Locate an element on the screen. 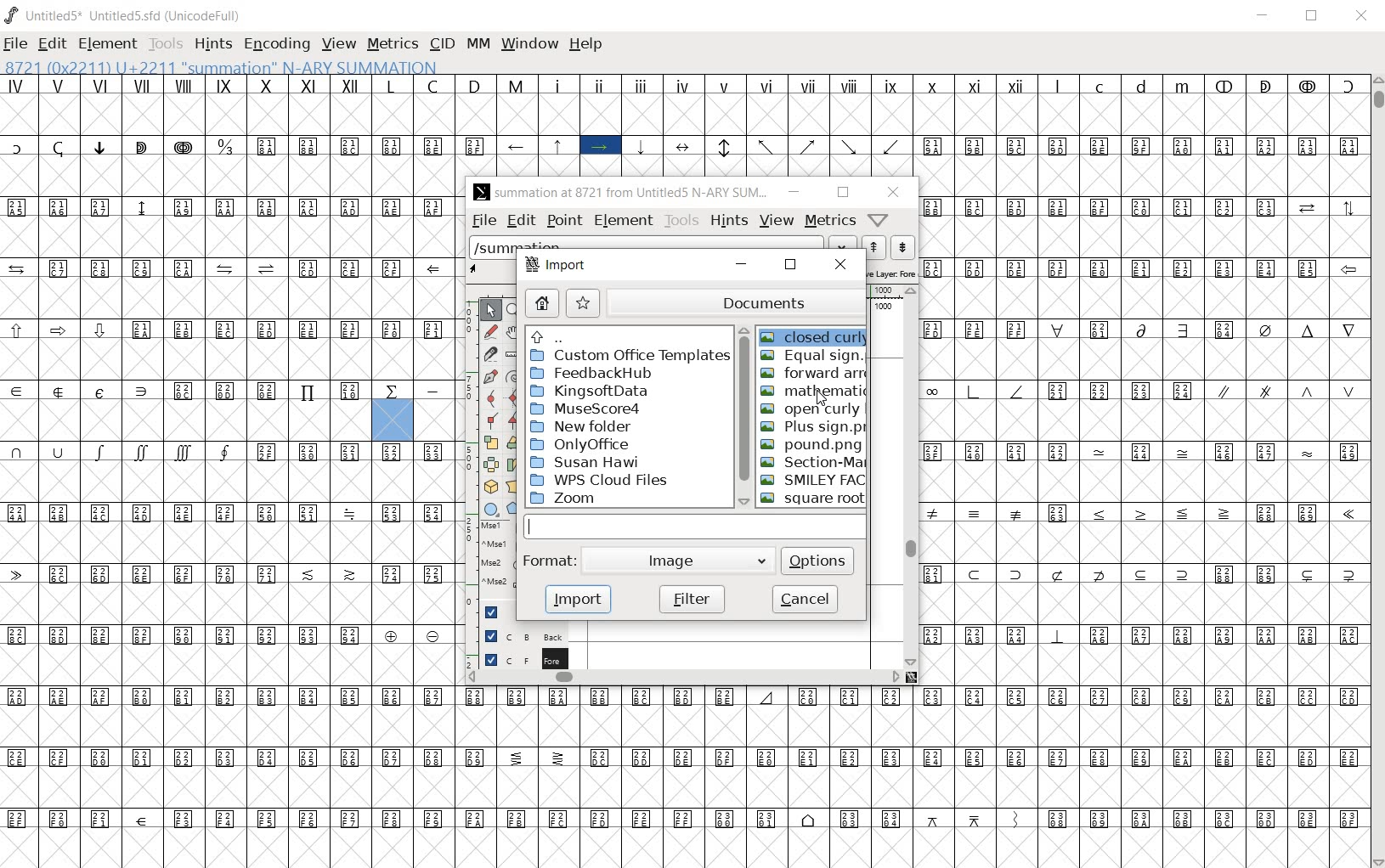 The height and width of the screenshot is (868, 1385). mse1 mse1 mse2 mse2 is located at coordinates (488, 555).